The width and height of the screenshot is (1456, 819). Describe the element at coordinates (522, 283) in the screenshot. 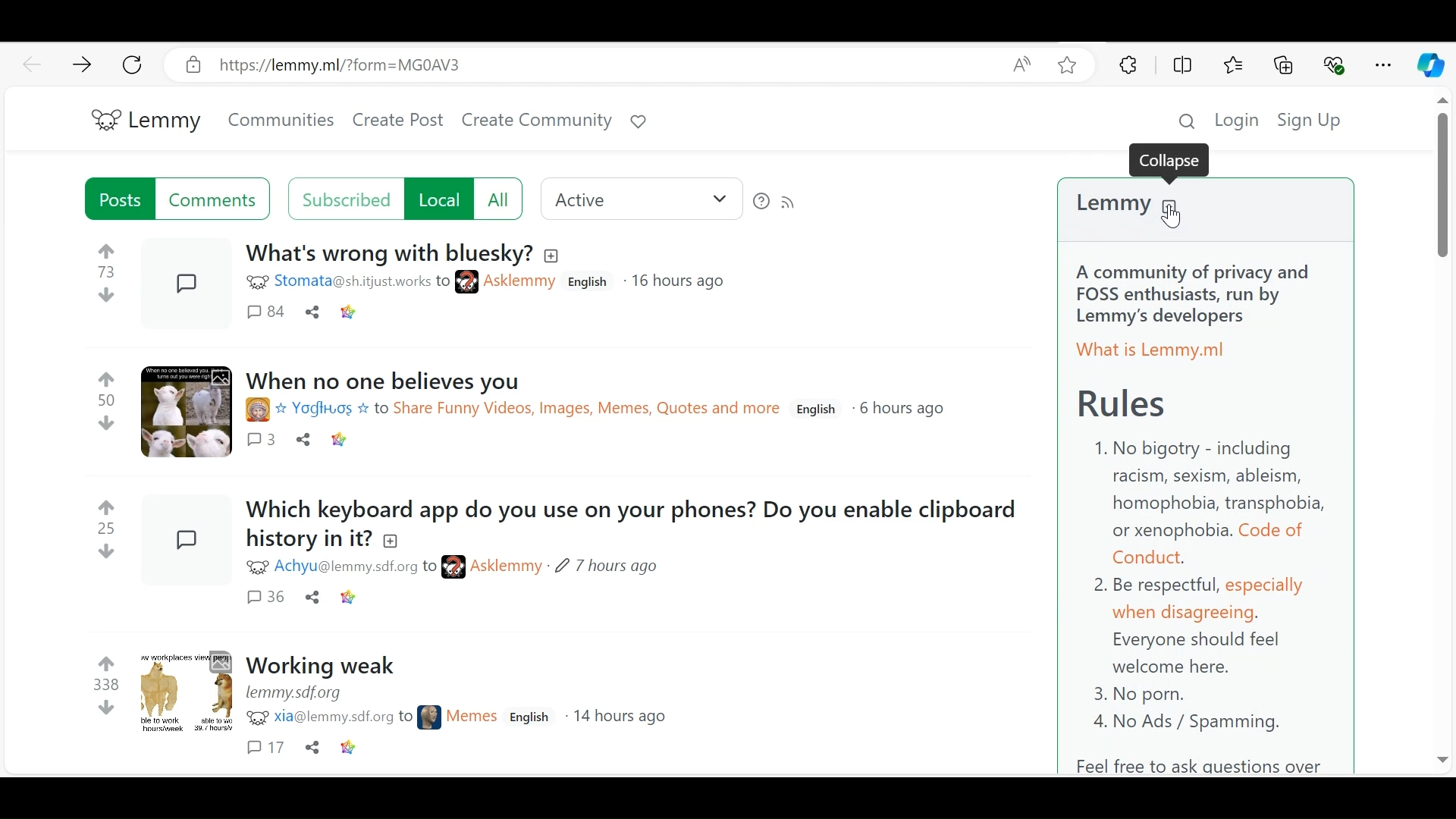

I see `Username` at that location.